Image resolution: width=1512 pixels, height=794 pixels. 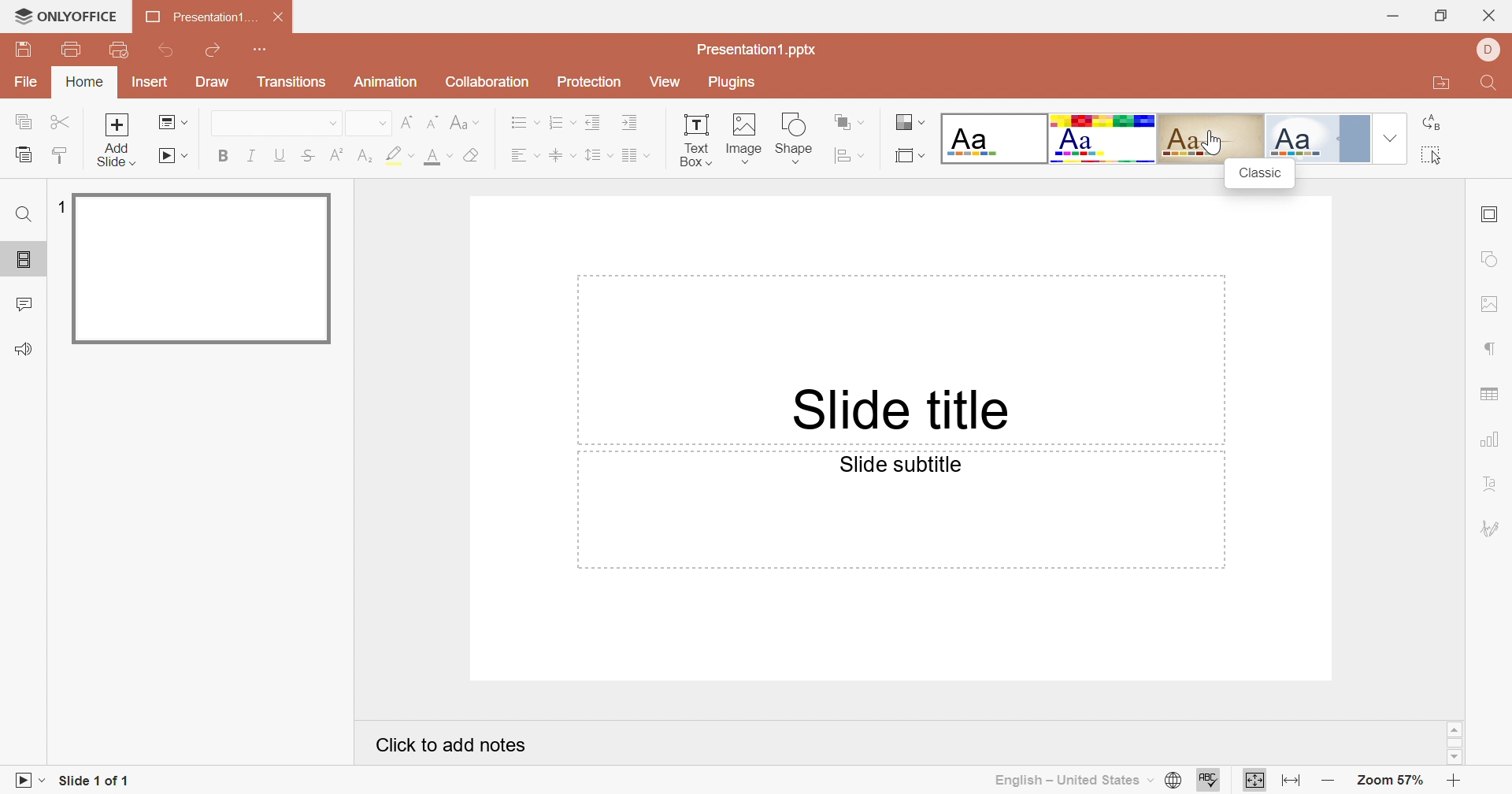 I want to click on Zoom in, so click(x=1459, y=783).